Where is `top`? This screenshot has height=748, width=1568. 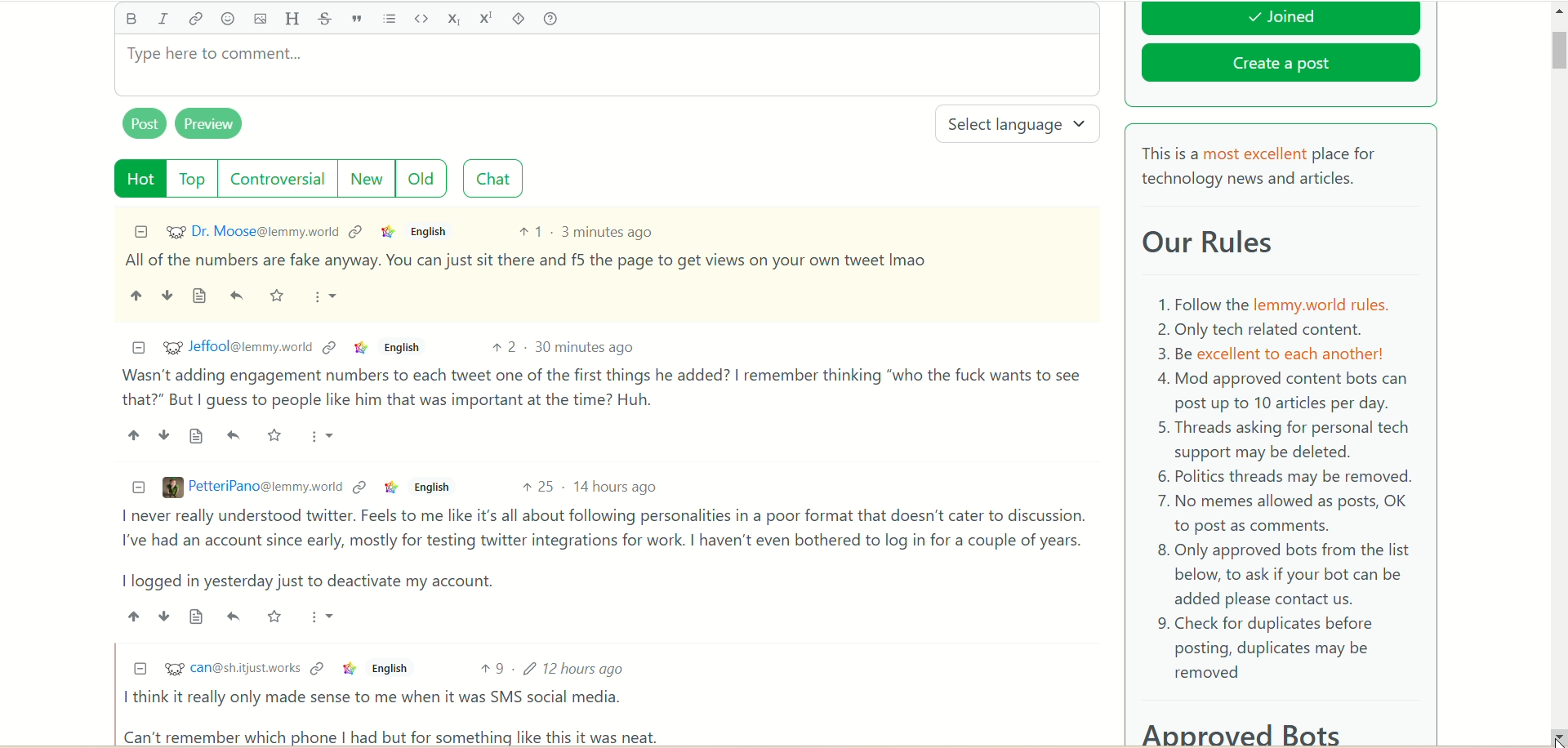
top is located at coordinates (194, 179).